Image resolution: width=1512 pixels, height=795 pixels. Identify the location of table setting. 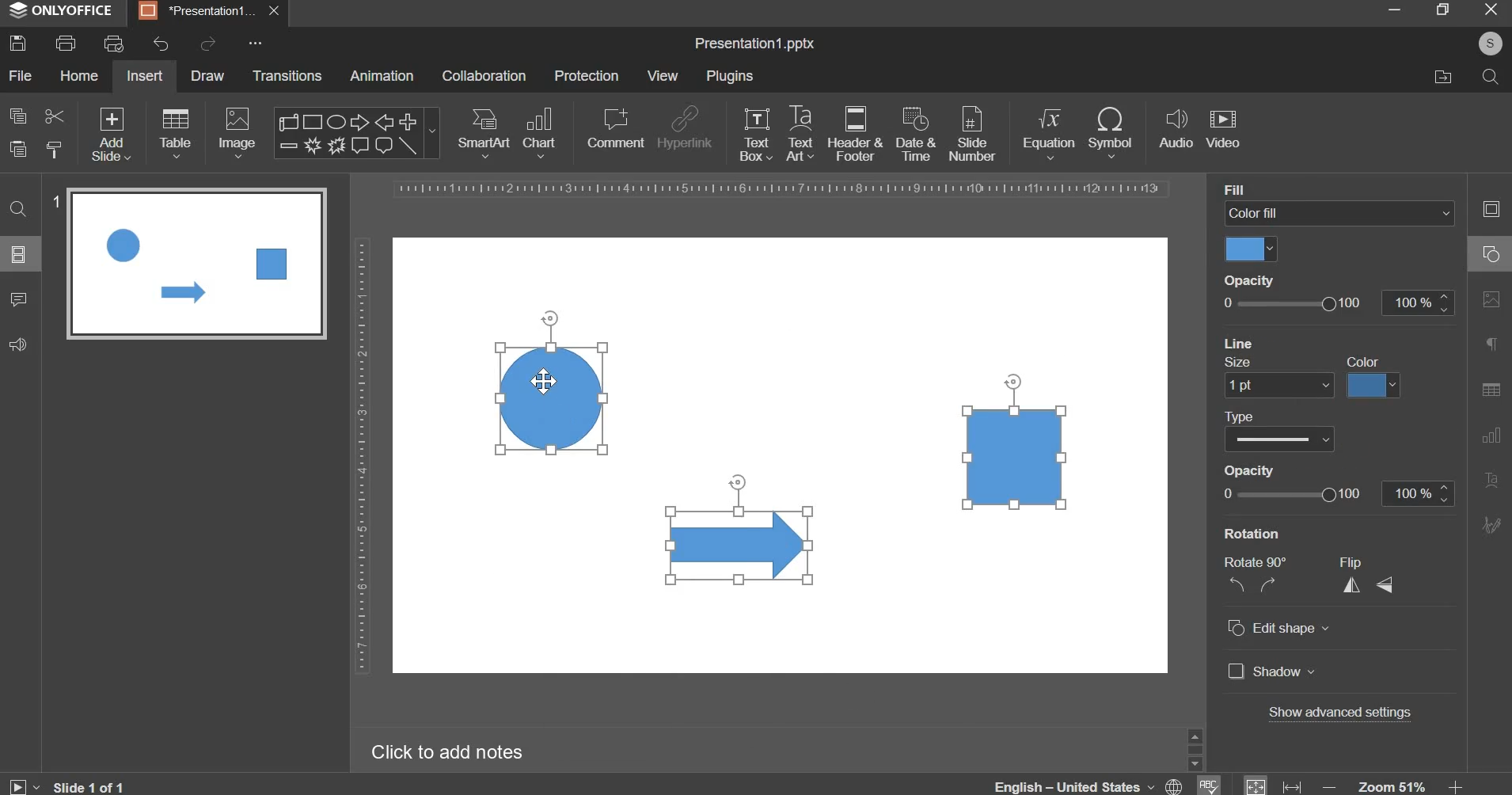
(1491, 389).